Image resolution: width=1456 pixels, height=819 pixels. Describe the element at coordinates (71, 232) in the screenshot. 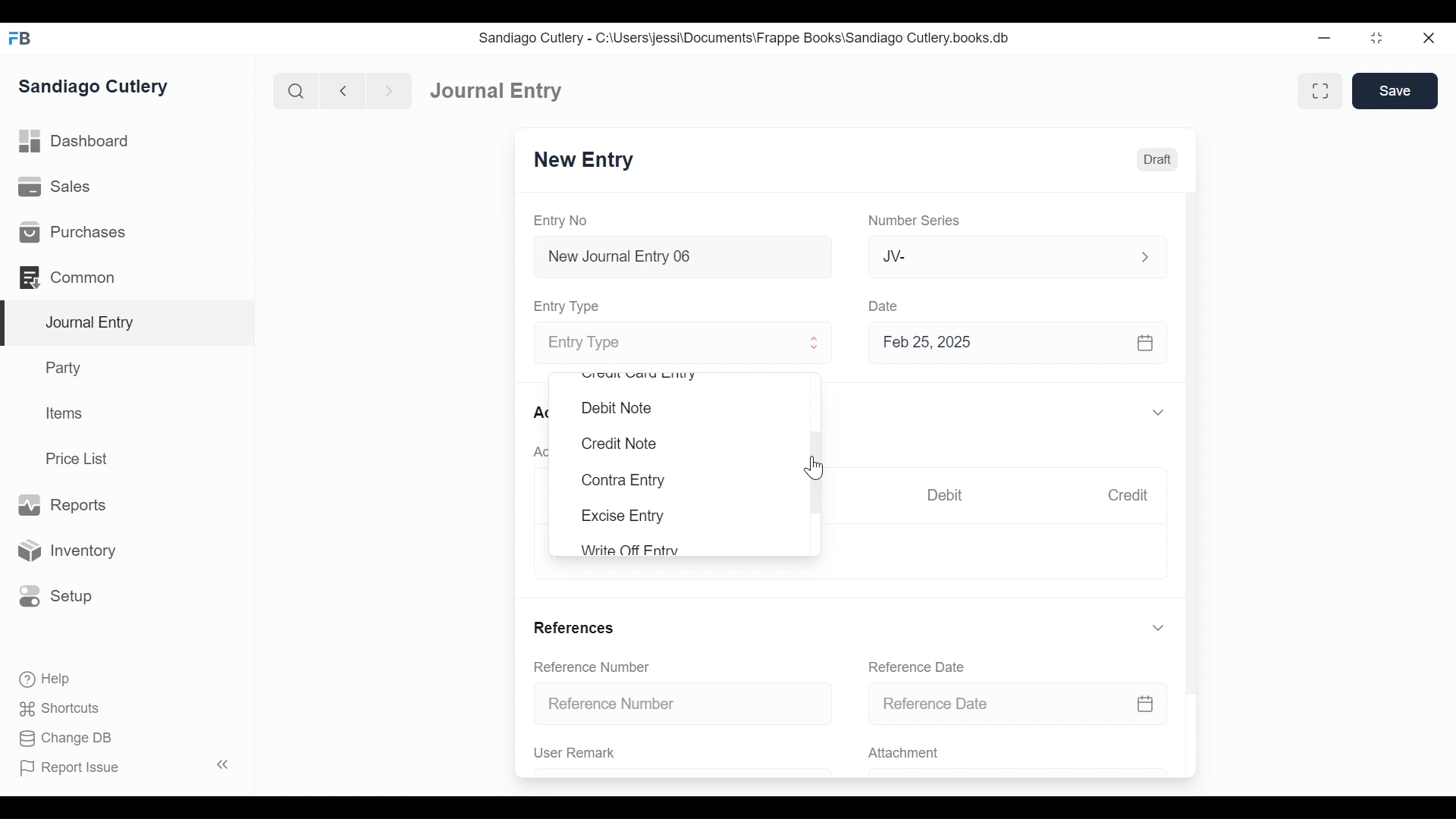

I see `Purchases` at that location.